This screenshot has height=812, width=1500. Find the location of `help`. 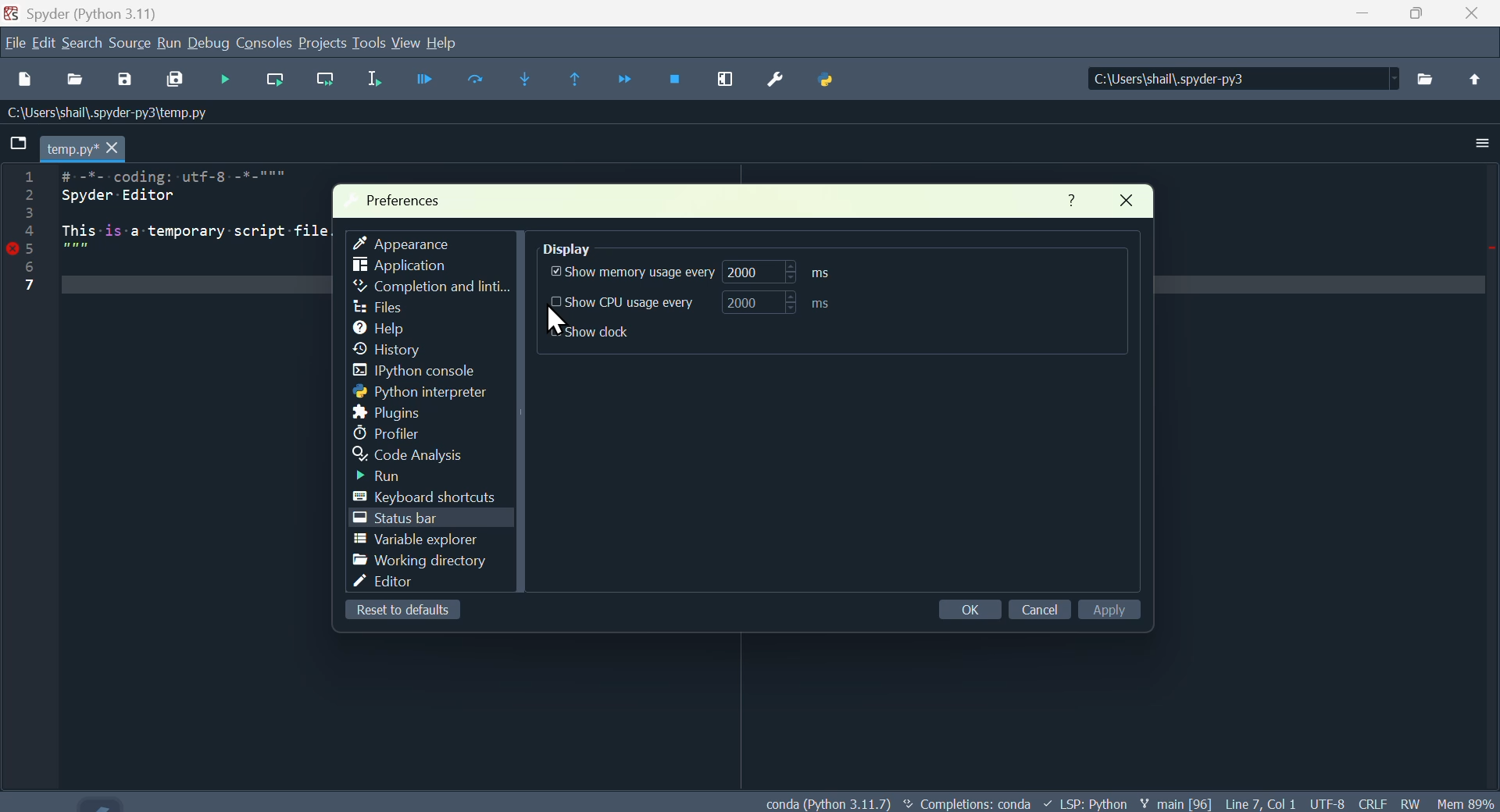

help is located at coordinates (384, 327).